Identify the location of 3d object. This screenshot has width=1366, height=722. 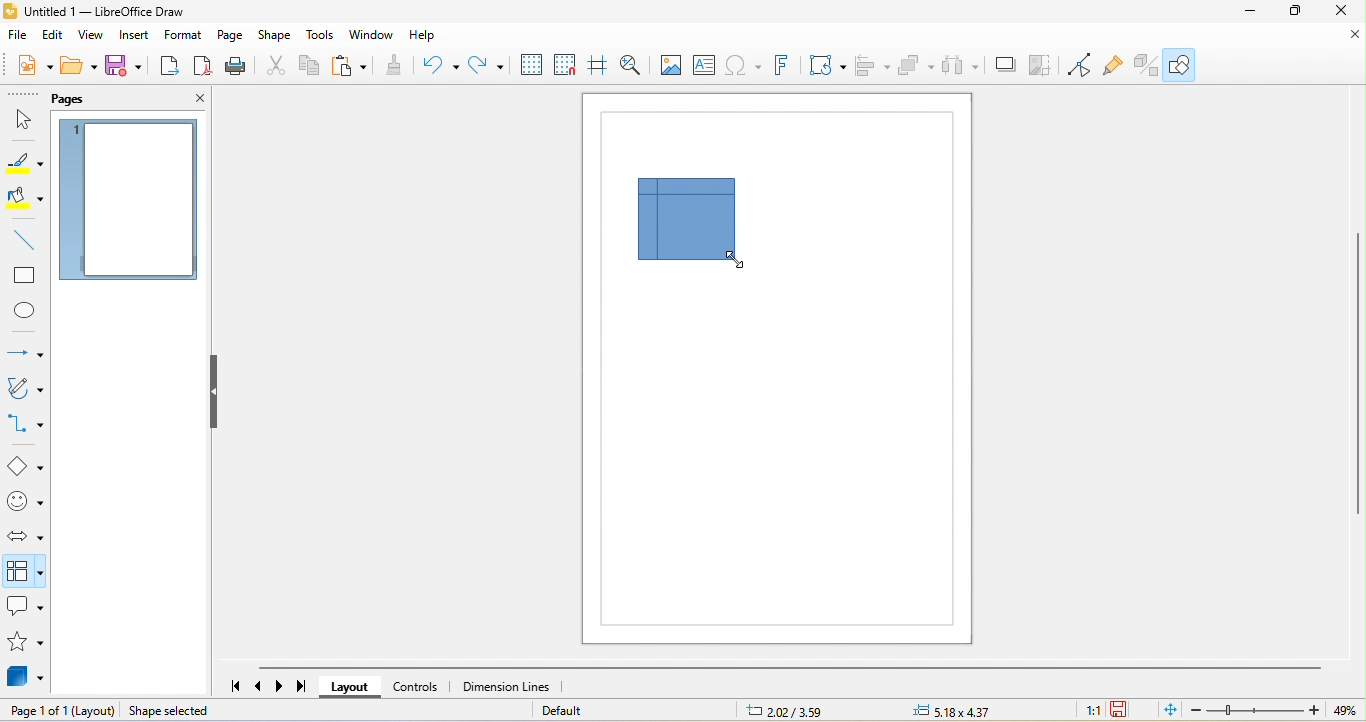
(28, 679).